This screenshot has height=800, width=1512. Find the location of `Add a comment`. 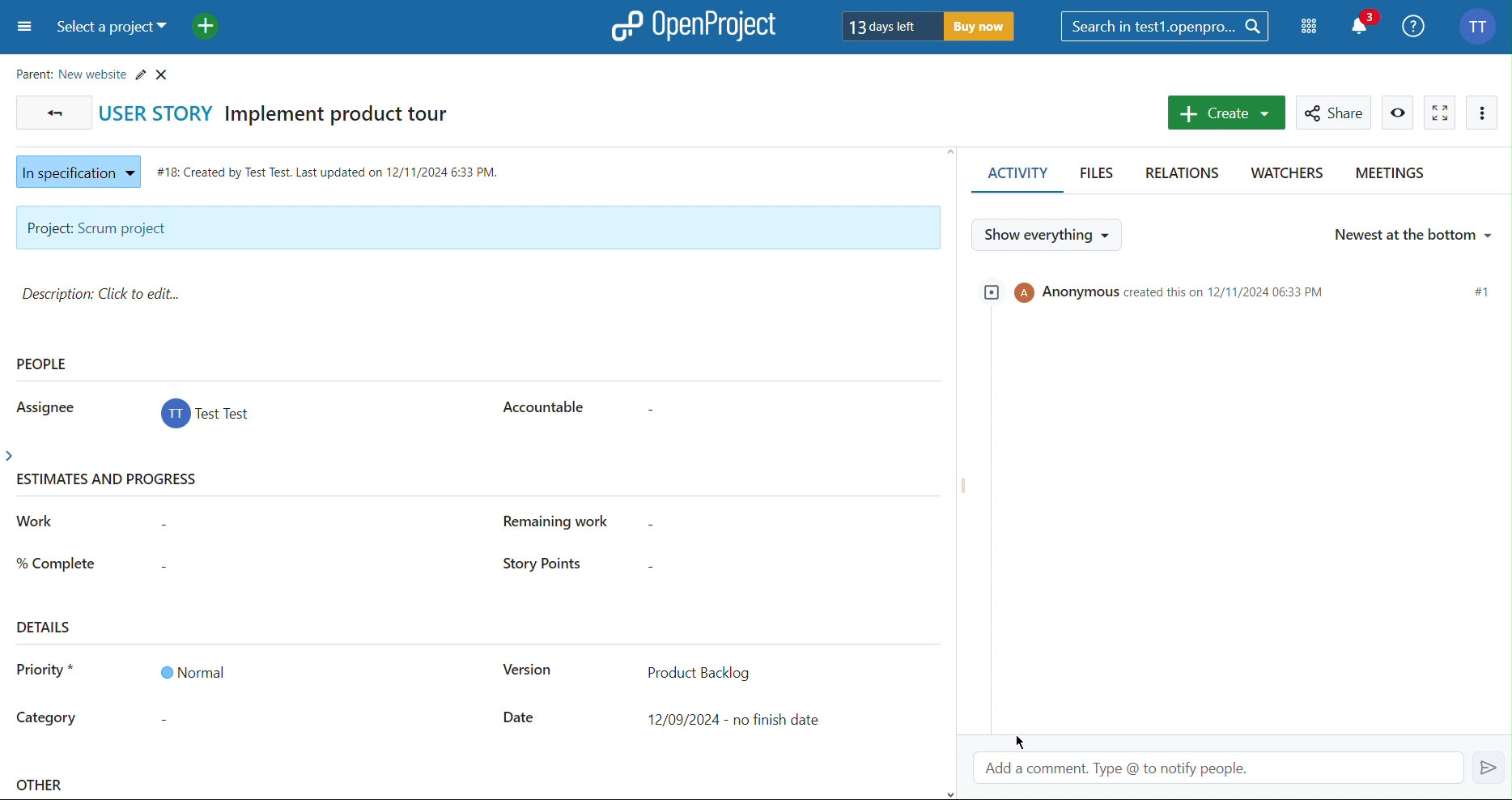

Add a comment is located at coordinates (1242, 765).